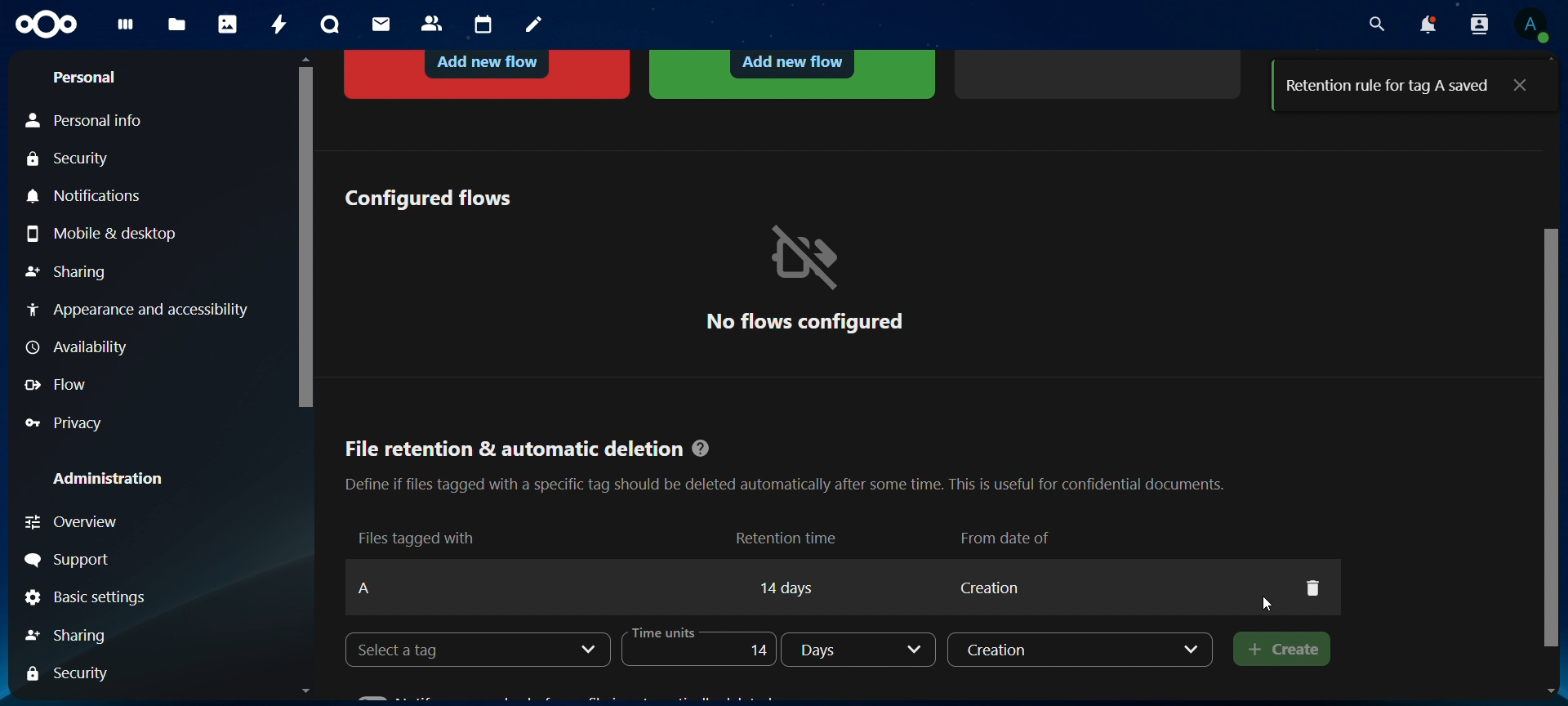 The image size is (1568, 706). Describe the element at coordinates (537, 25) in the screenshot. I see `notes` at that location.